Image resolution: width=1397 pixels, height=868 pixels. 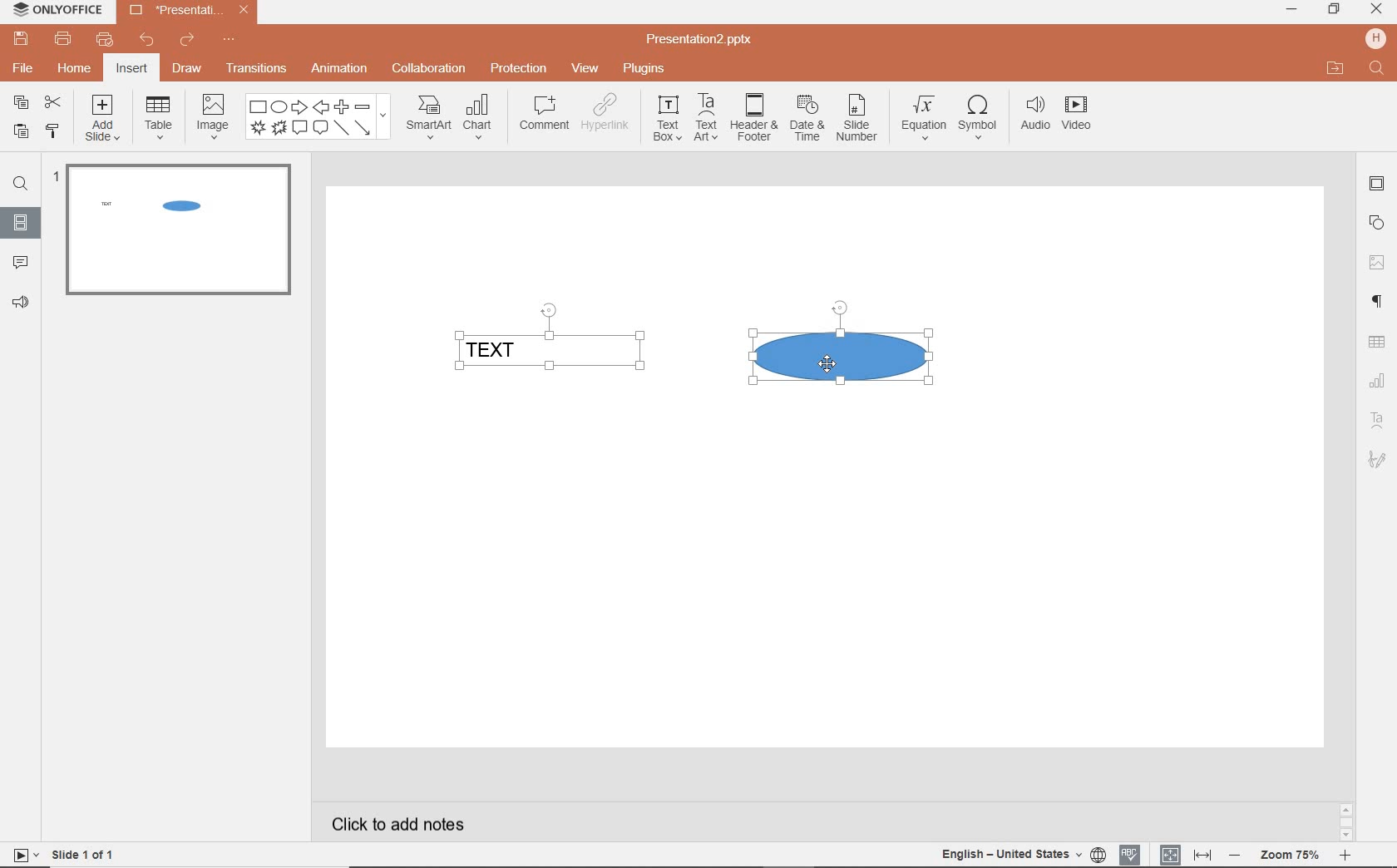 What do you see at coordinates (545, 113) in the screenshot?
I see `comment` at bounding box center [545, 113].